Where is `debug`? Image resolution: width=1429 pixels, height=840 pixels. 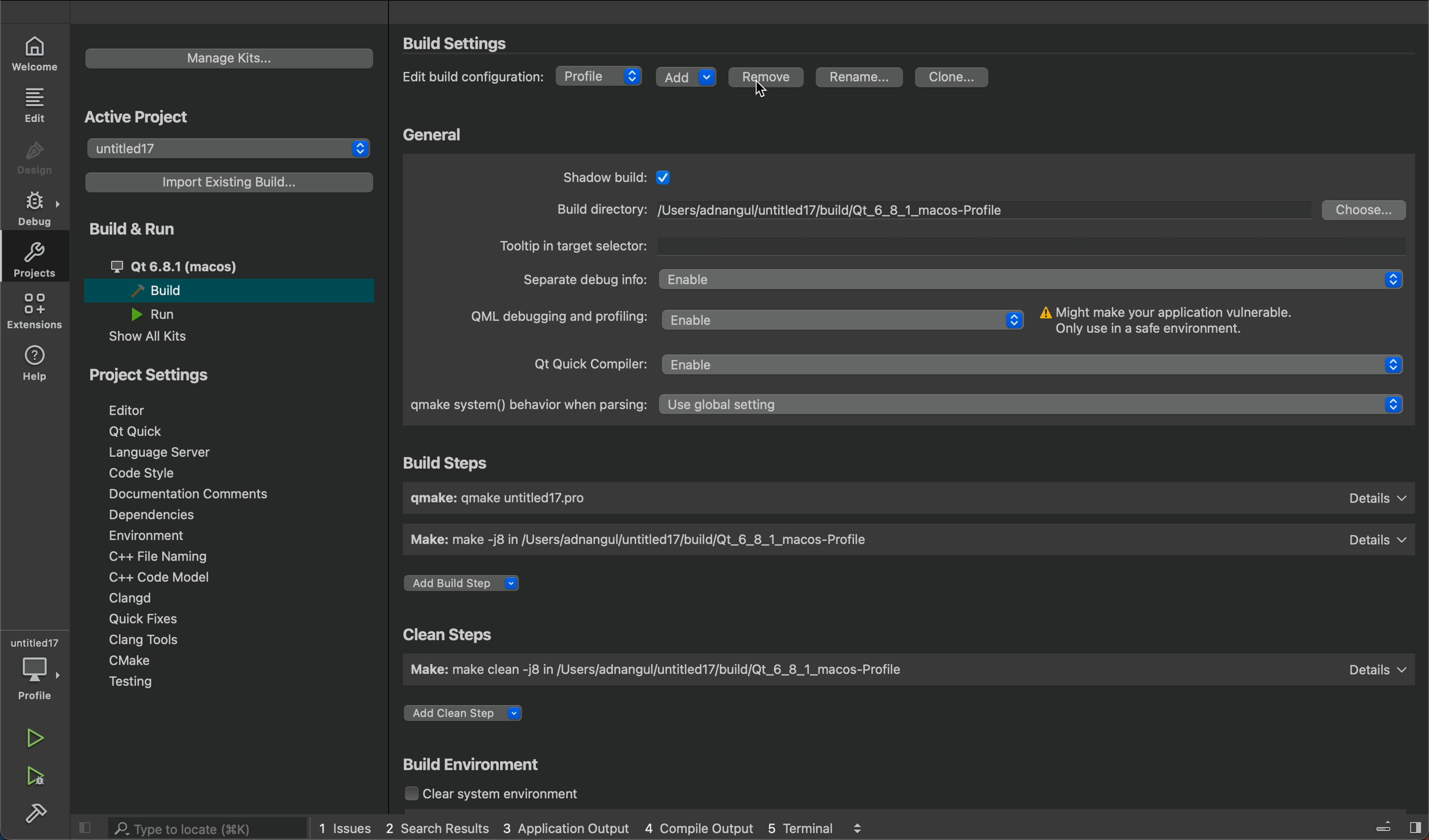 debug is located at coordinates (36, 211).